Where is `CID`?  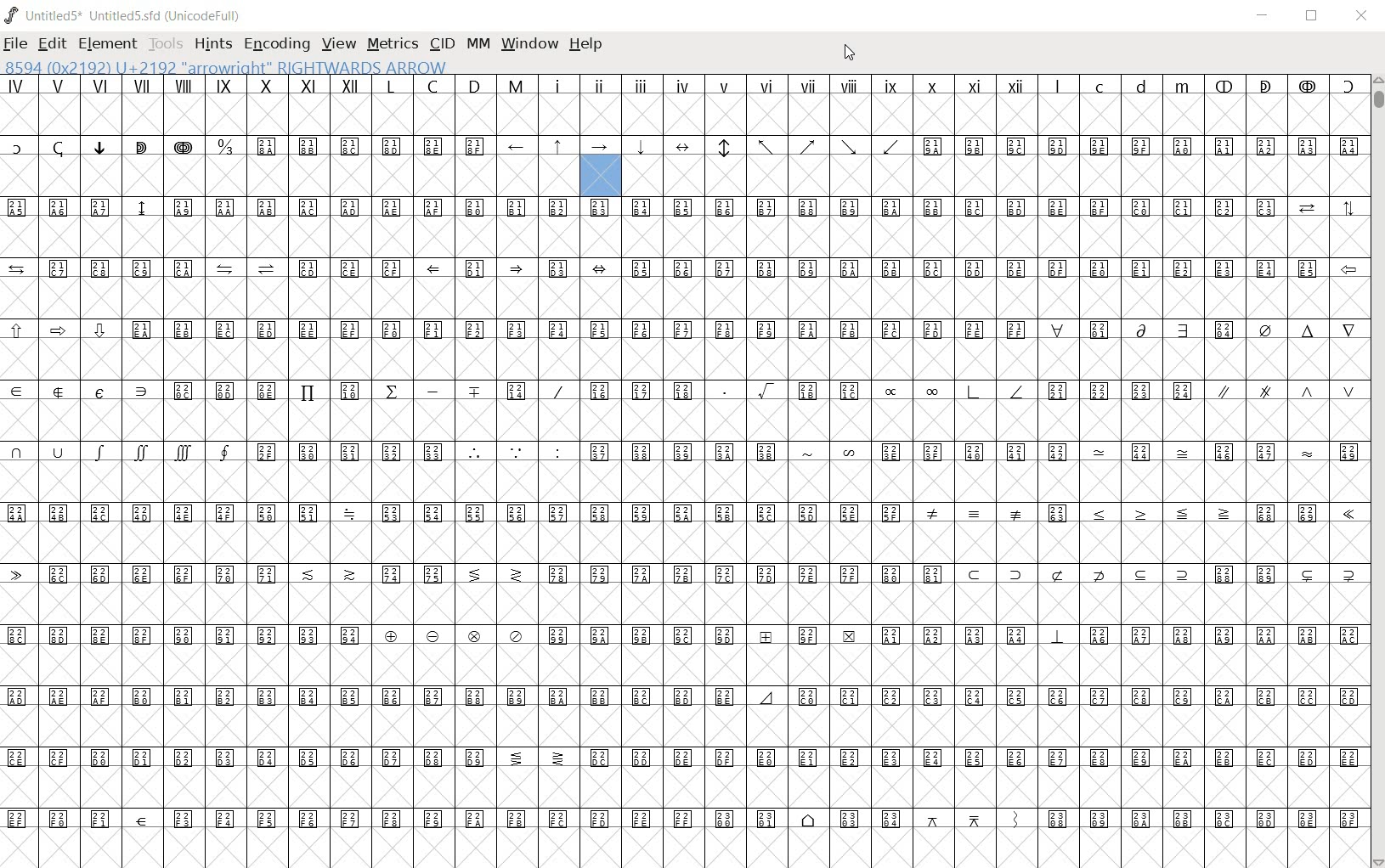 CID is located at coordinates (442, 44).